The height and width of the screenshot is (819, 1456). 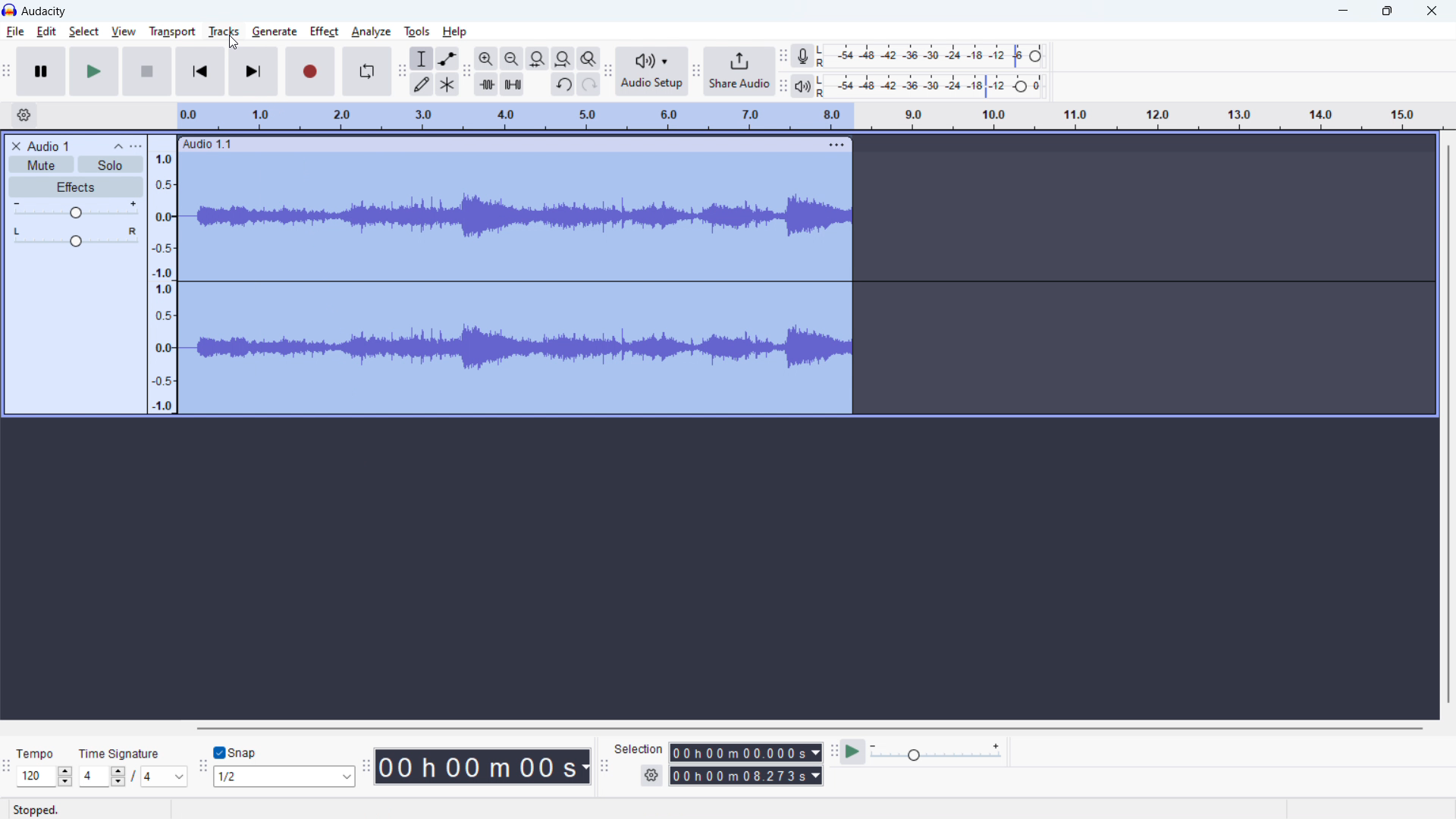 What do you see at coordinates (927, 56) in the screenshot?
I see `recording level` at bounding box center [927, 56].